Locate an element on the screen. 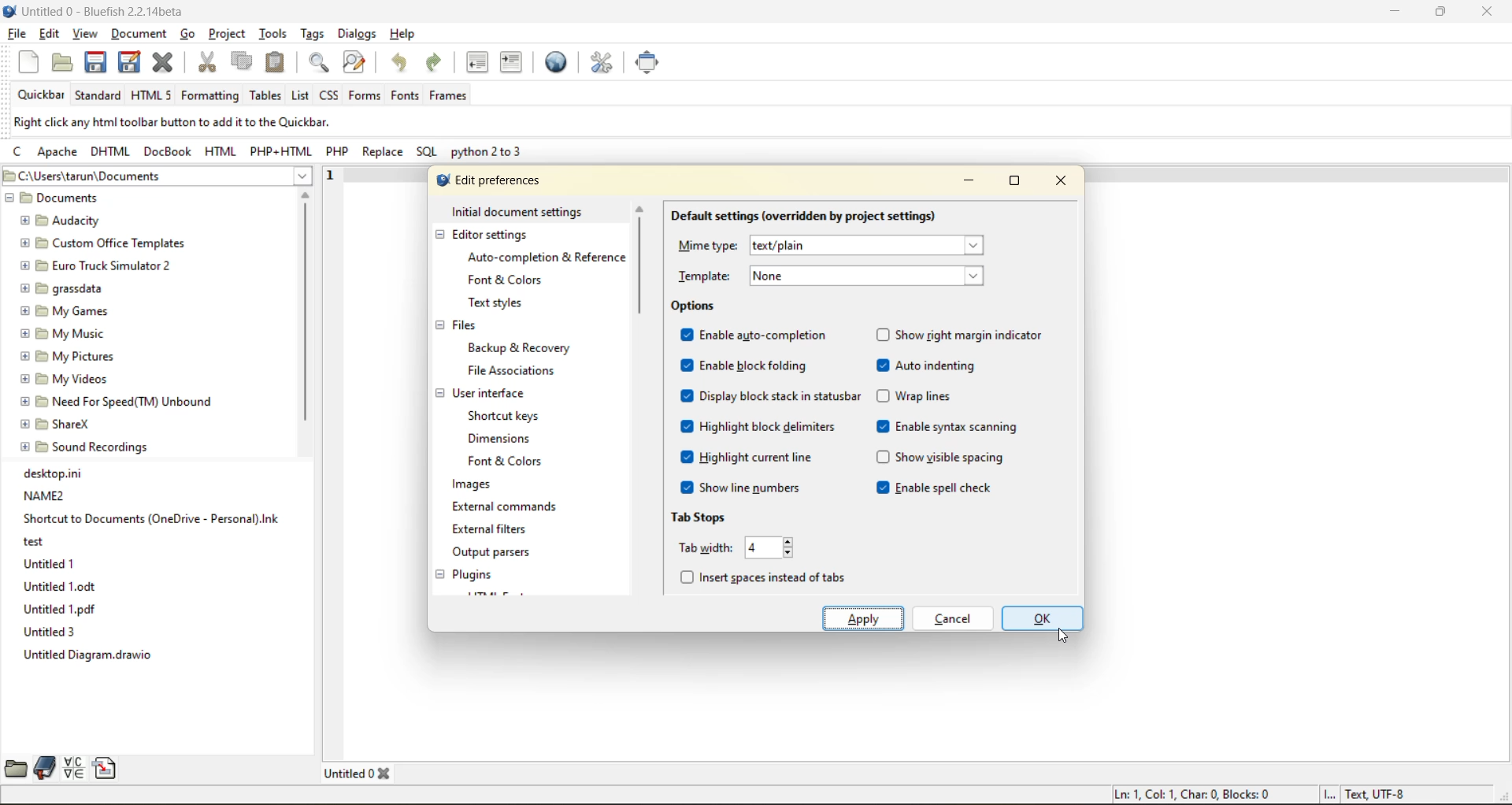 This screenshot has height=805, width=1512. file is located at coordinates (15, 33).